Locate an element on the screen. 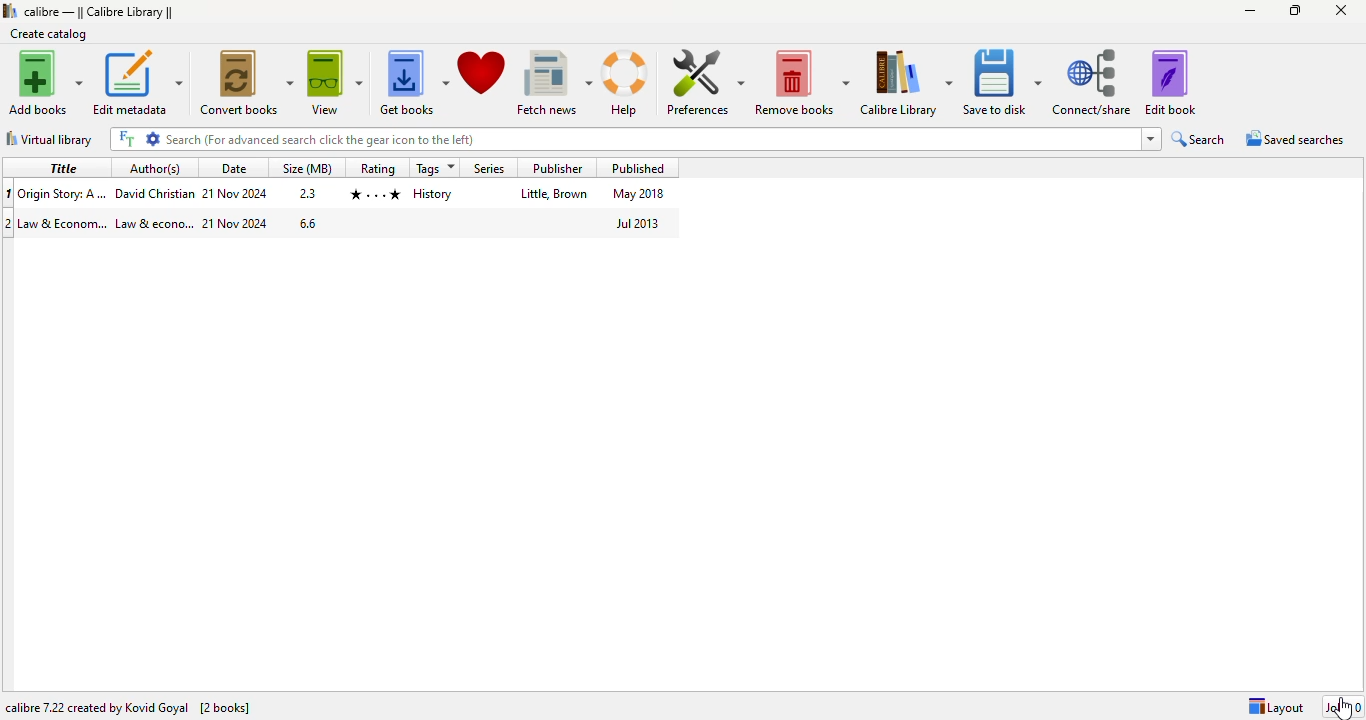 This screenshot has height=720, width=1366. create catalog is located at coordinates (49, 34).